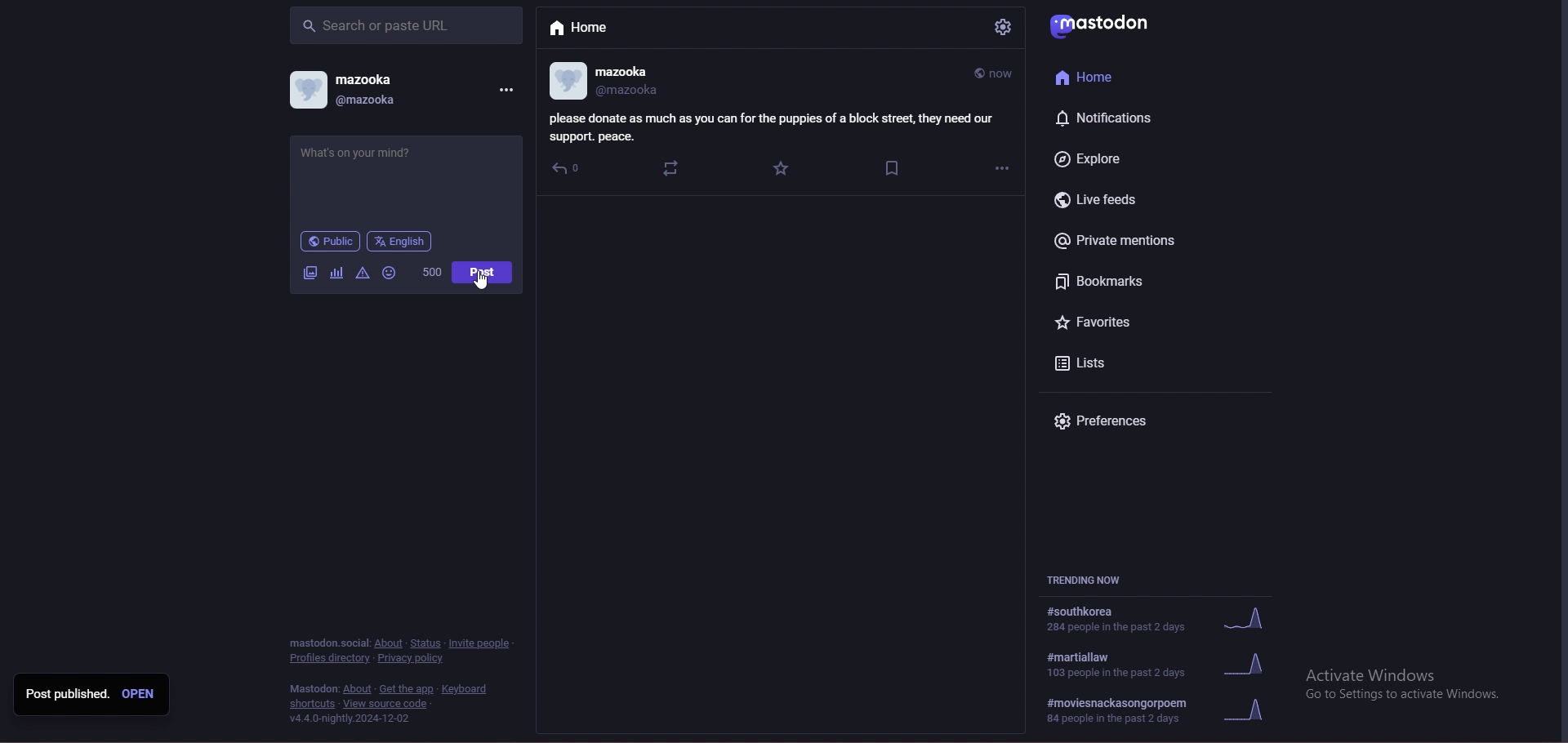  Describe the element at coordinates (1159, 709) in the screenshot. I see `#moviesnackasongorpoem` at that location.